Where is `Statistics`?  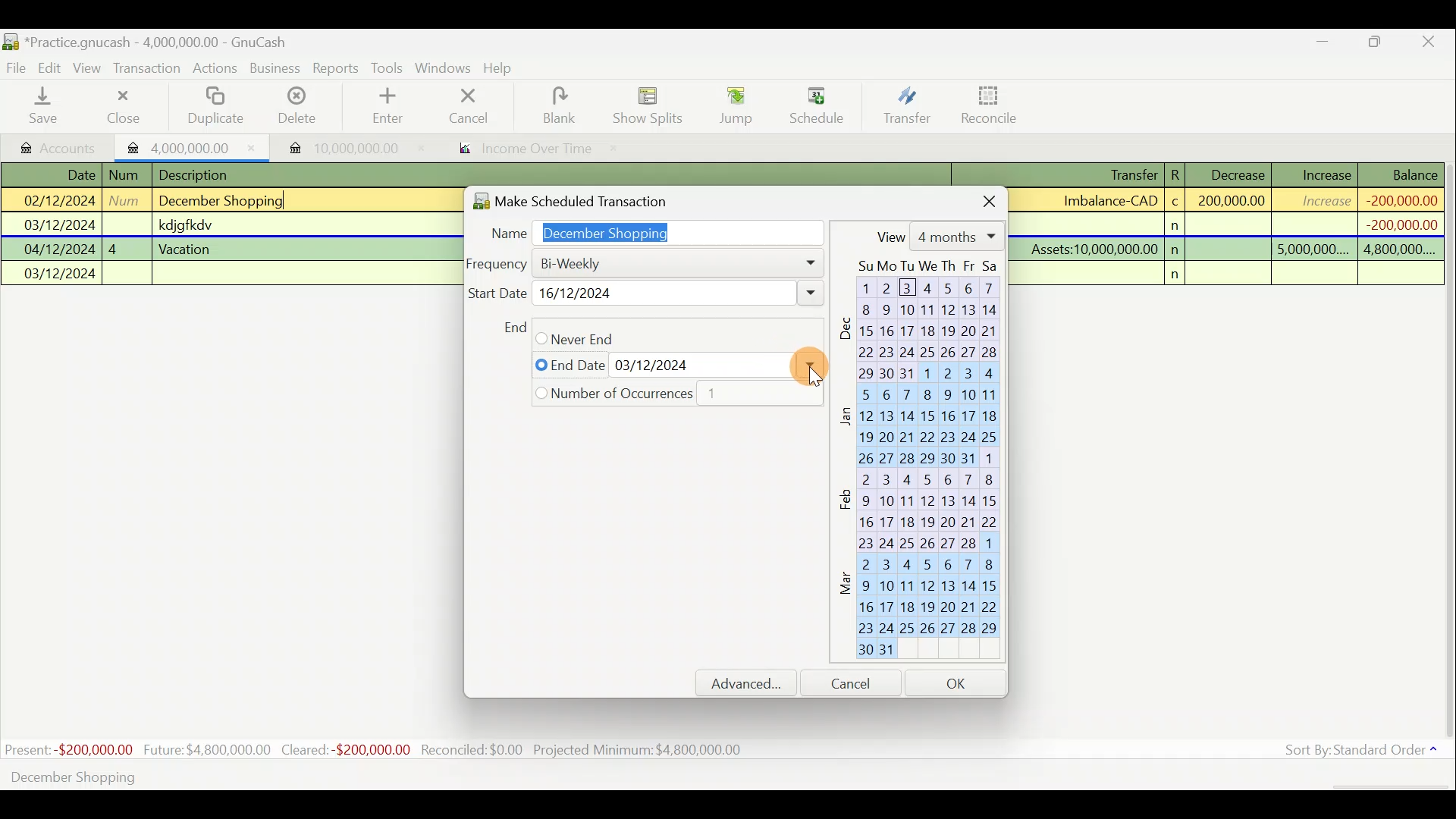 Statistics is located at coordinates (376, 750).